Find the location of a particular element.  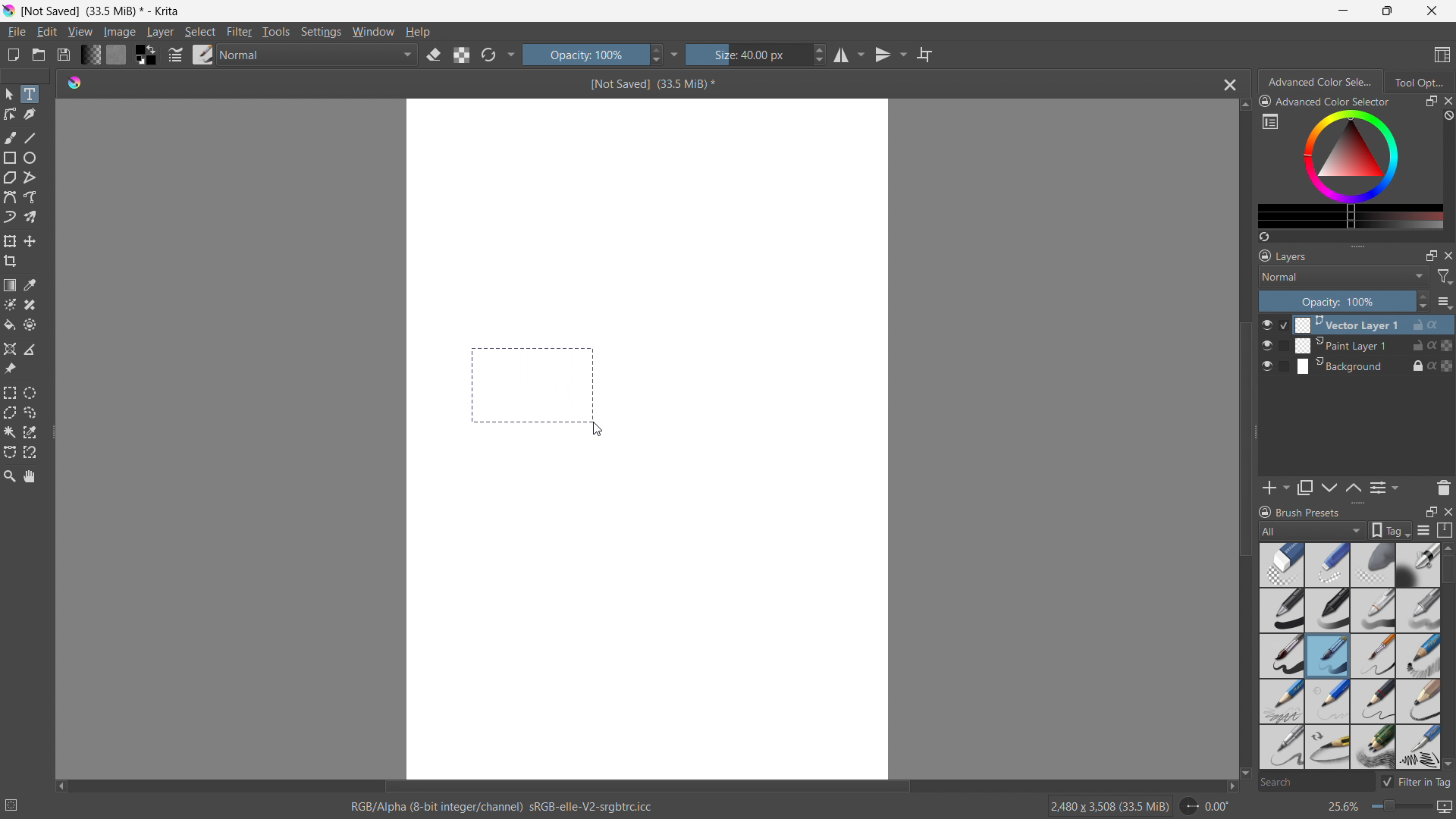

canvas is located at coordinates (648, 218).